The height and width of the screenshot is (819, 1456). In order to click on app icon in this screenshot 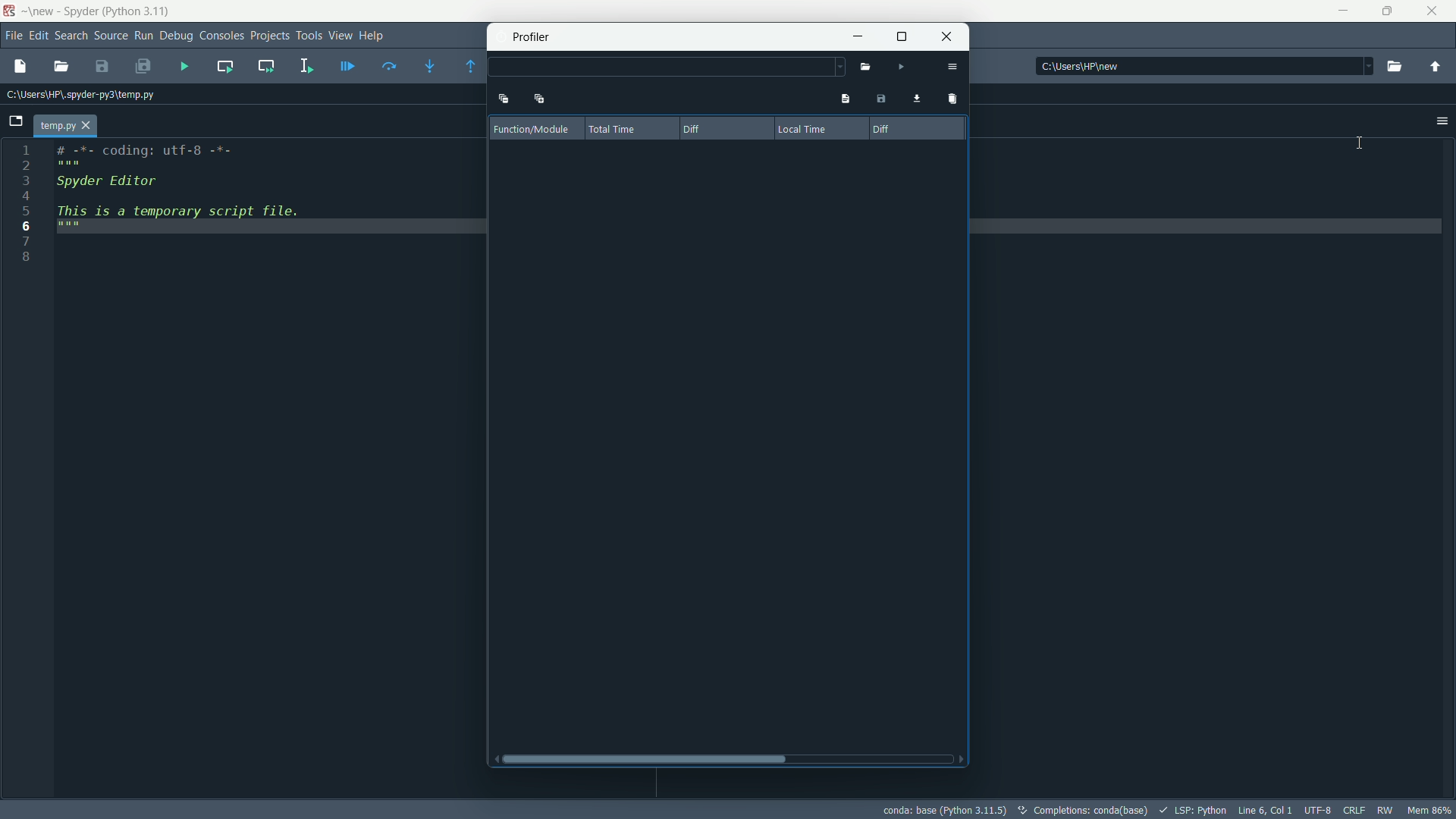, I will do `click(11, 11)`.